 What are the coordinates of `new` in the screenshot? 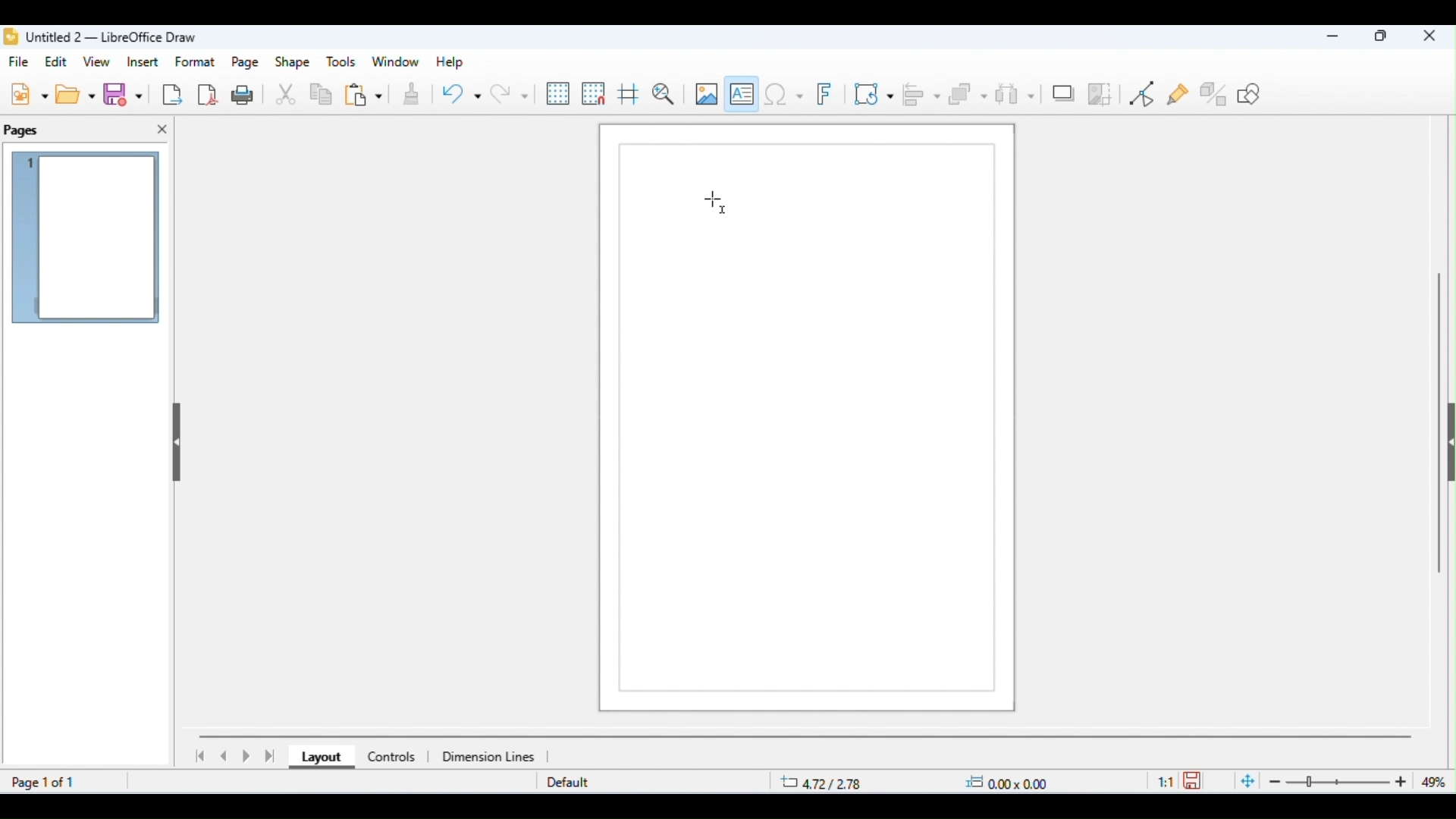 It's located at (29, 93).